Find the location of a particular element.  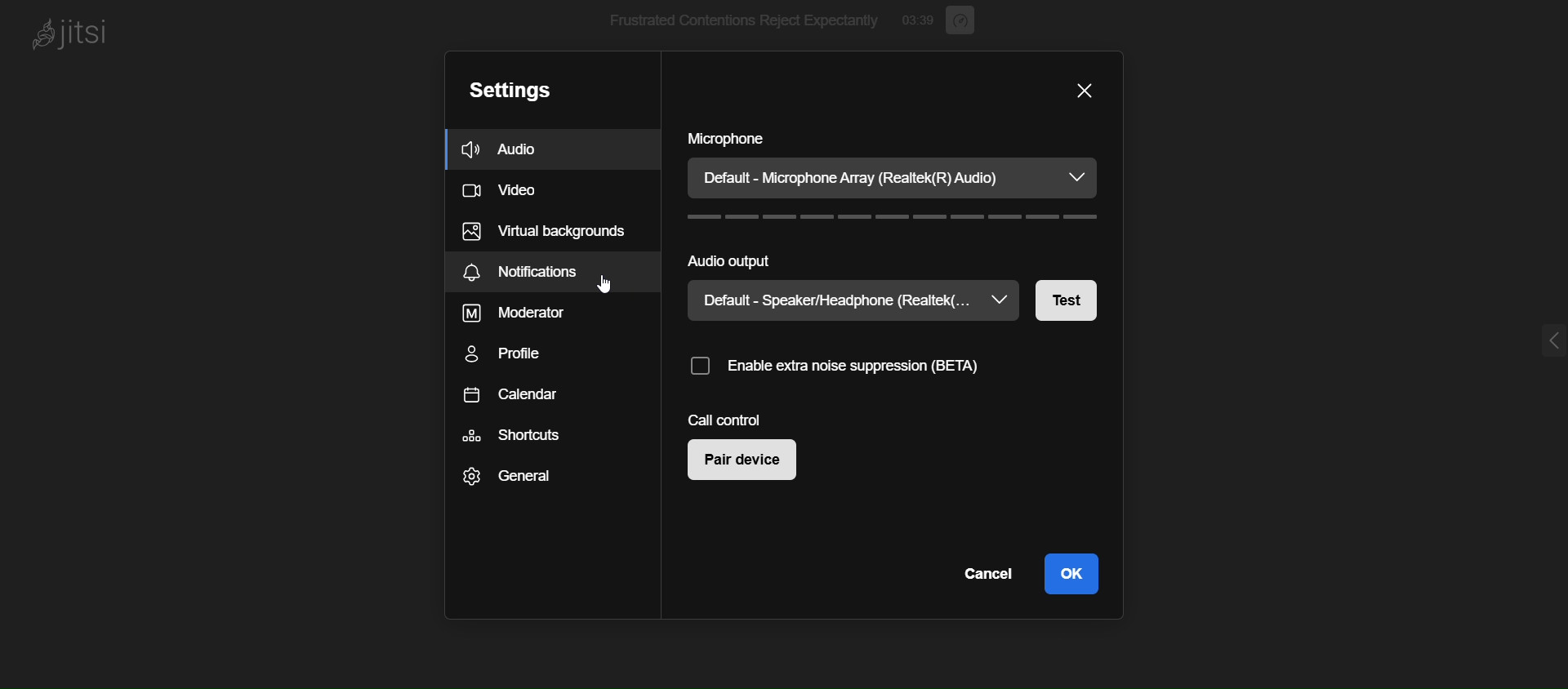

enable extra noise suprresion is located at coordinates (837, 367).